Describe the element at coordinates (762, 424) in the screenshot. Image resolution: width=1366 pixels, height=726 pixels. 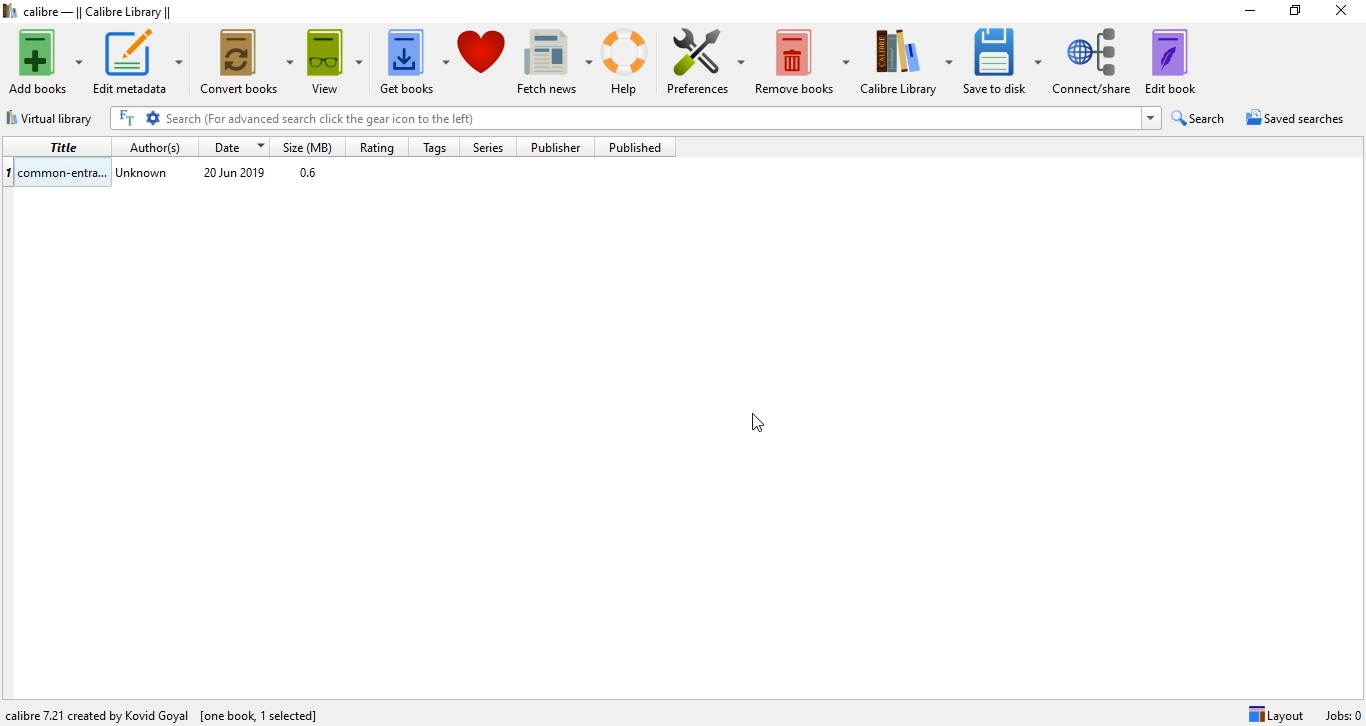
I see `Cursor` at that location.